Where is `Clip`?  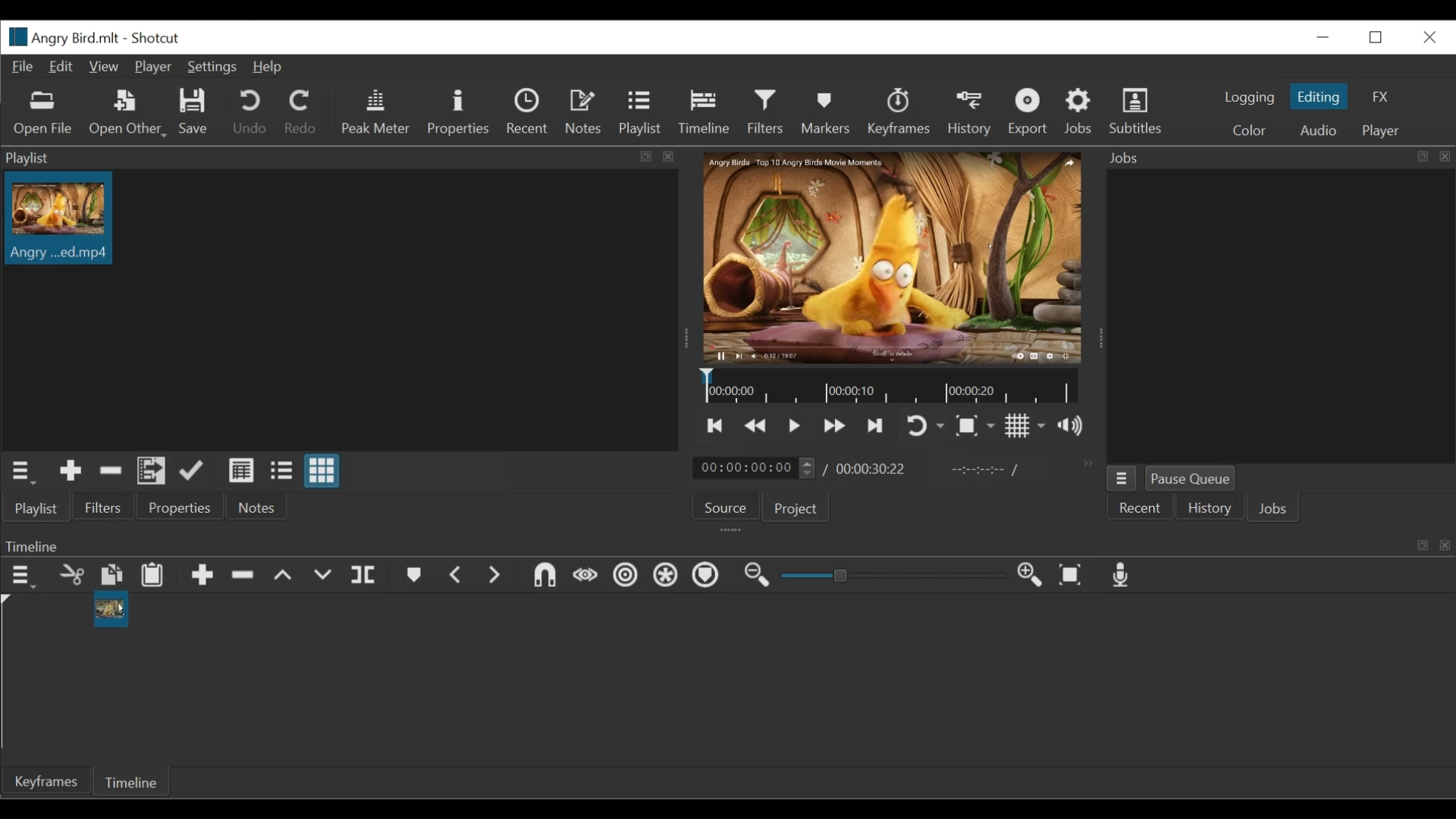 Clip is located at coordinates (111, 610).